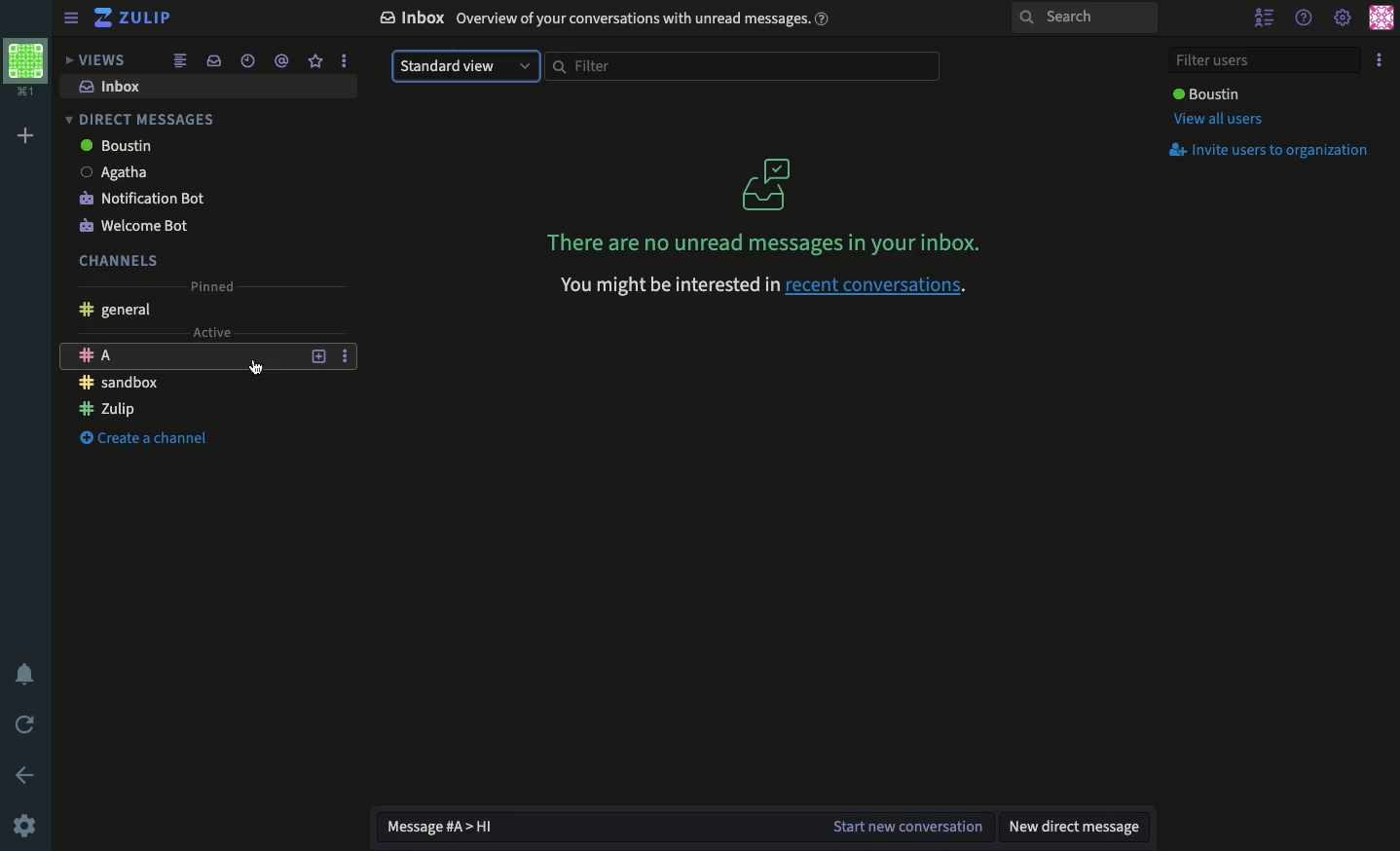 This screenshot has width=1400, height=851. Describe the element at coordinates (210, 228) in the screenshot. I see `Welcome bot` at that location.